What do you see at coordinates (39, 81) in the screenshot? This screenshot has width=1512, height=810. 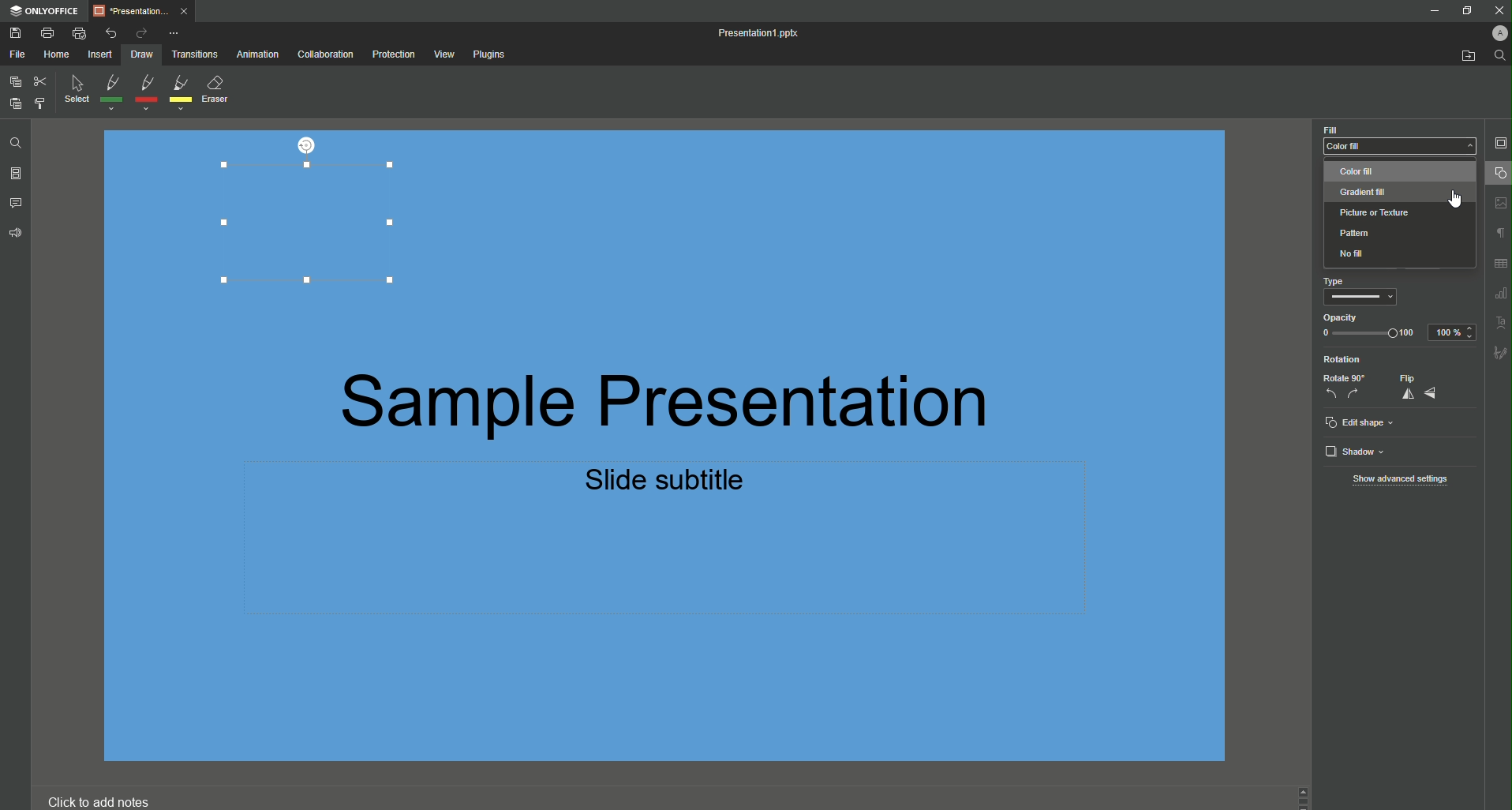 I see `Cut` at bounding box center [39, 81].